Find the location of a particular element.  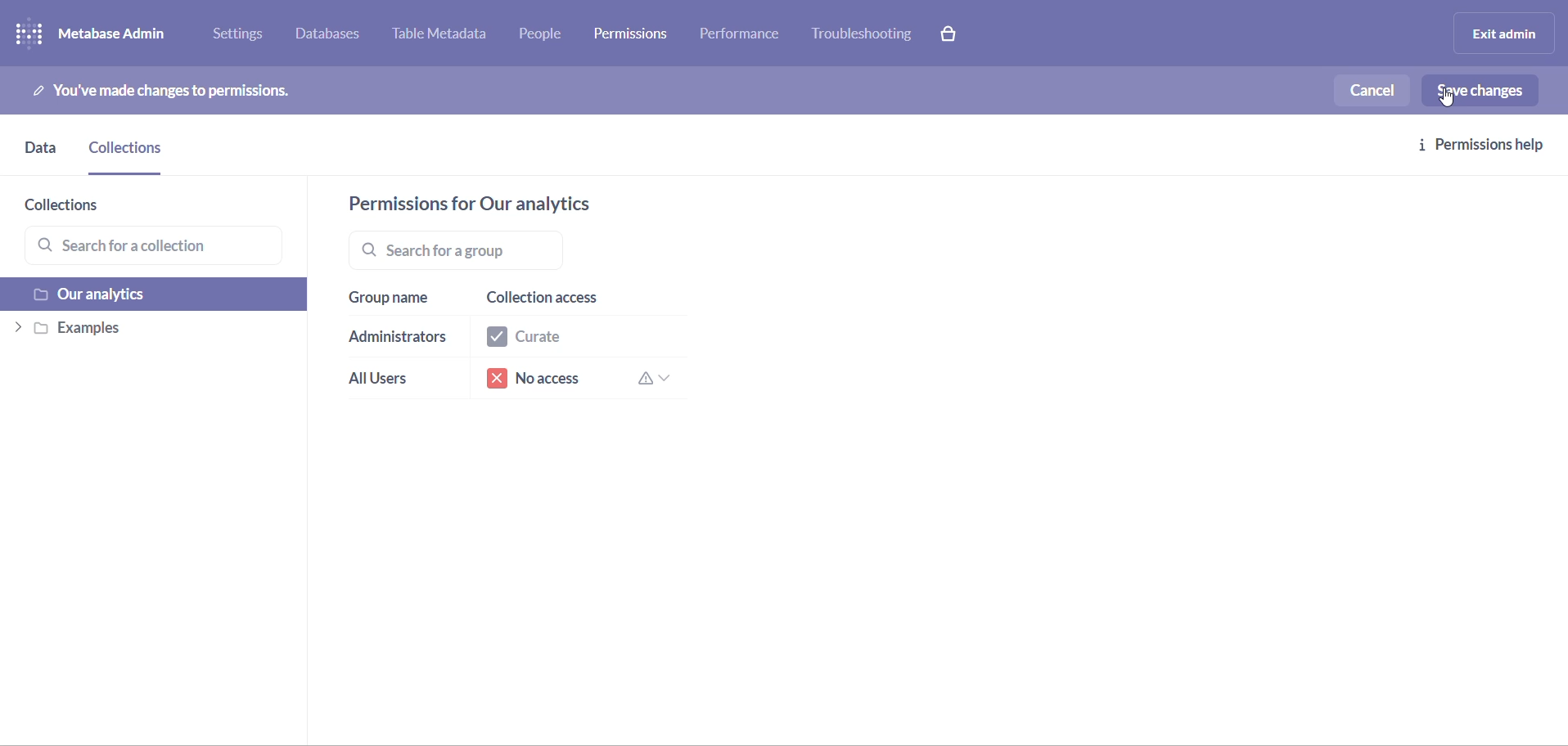

our analytics is located at coordinates (145, 294).